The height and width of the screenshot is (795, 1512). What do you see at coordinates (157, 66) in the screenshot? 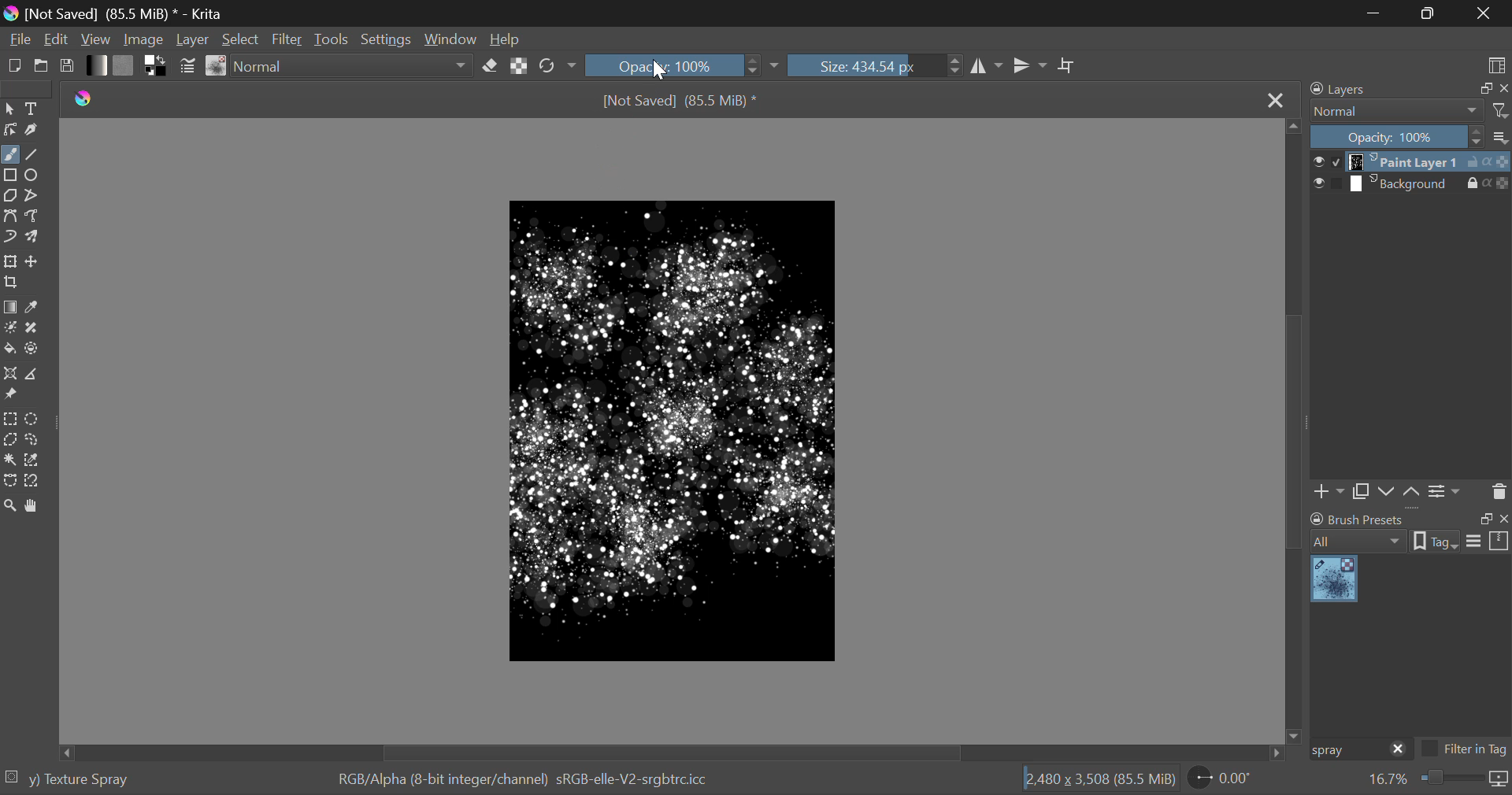
I see `Colors in Use` at bounding box center [157, 66].